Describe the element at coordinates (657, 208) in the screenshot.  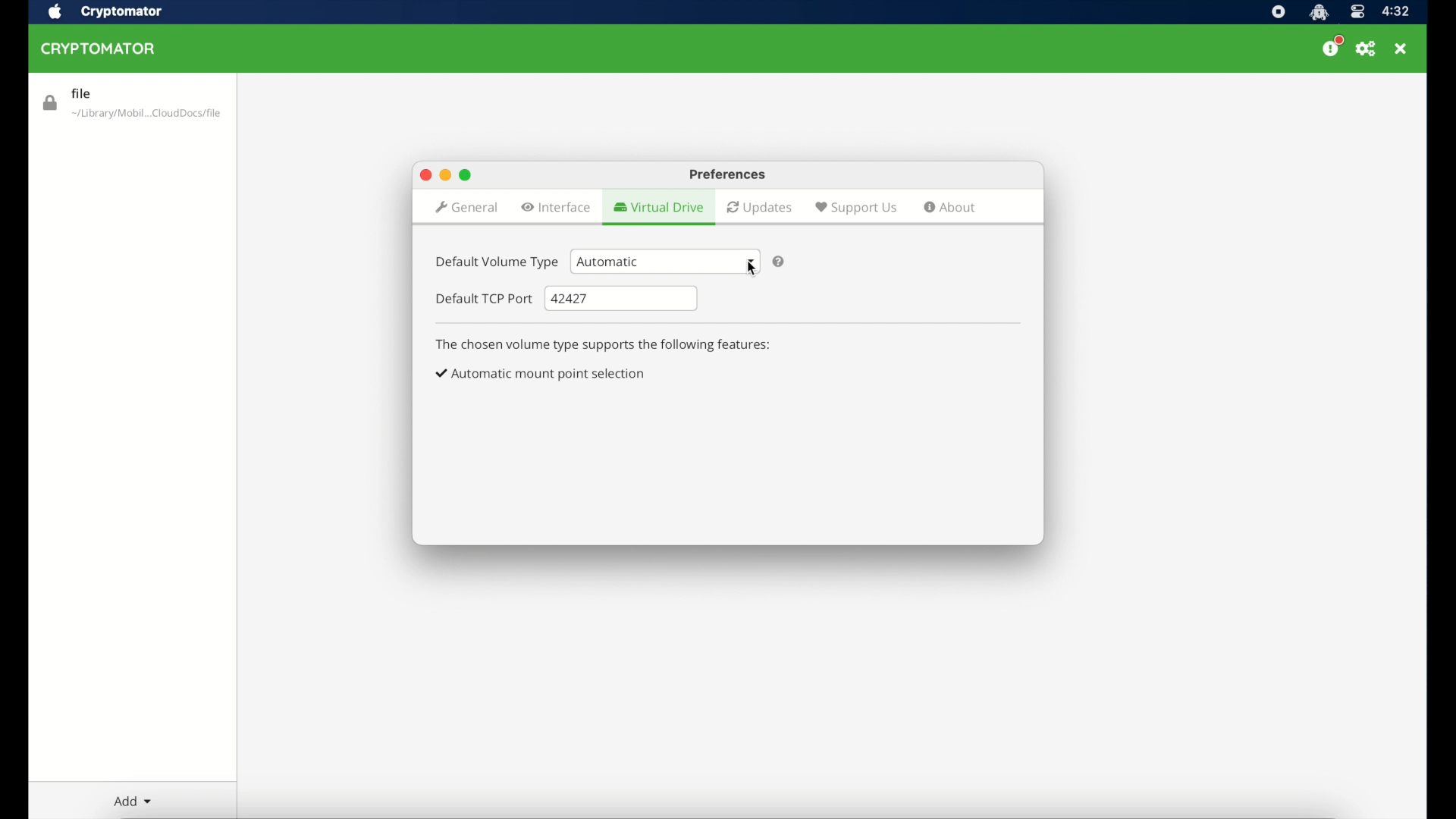
I see `virtual drive highlighted` at that location.